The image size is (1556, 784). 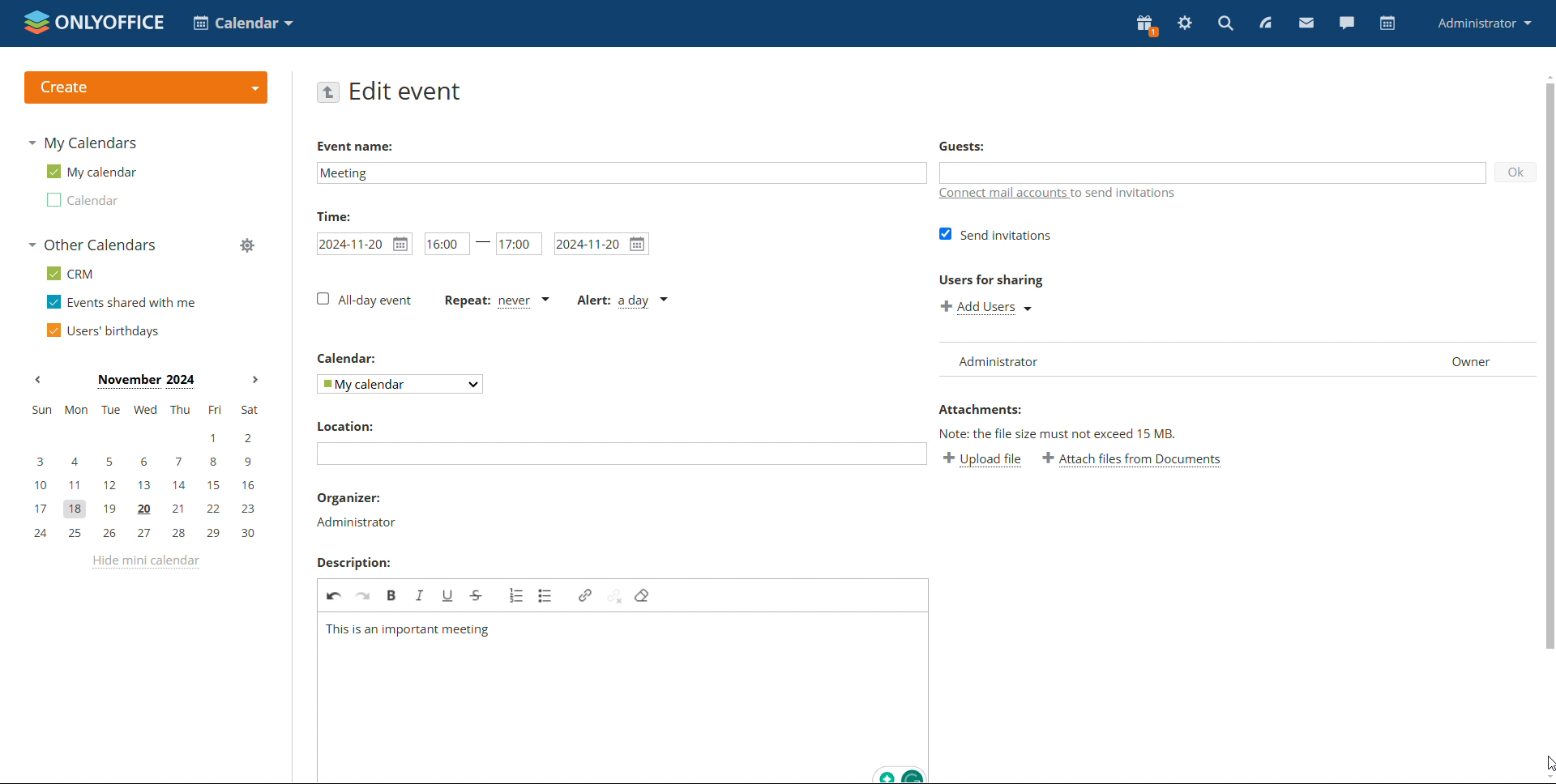 I want to click on events shared with me, so click(x=122, y=301).